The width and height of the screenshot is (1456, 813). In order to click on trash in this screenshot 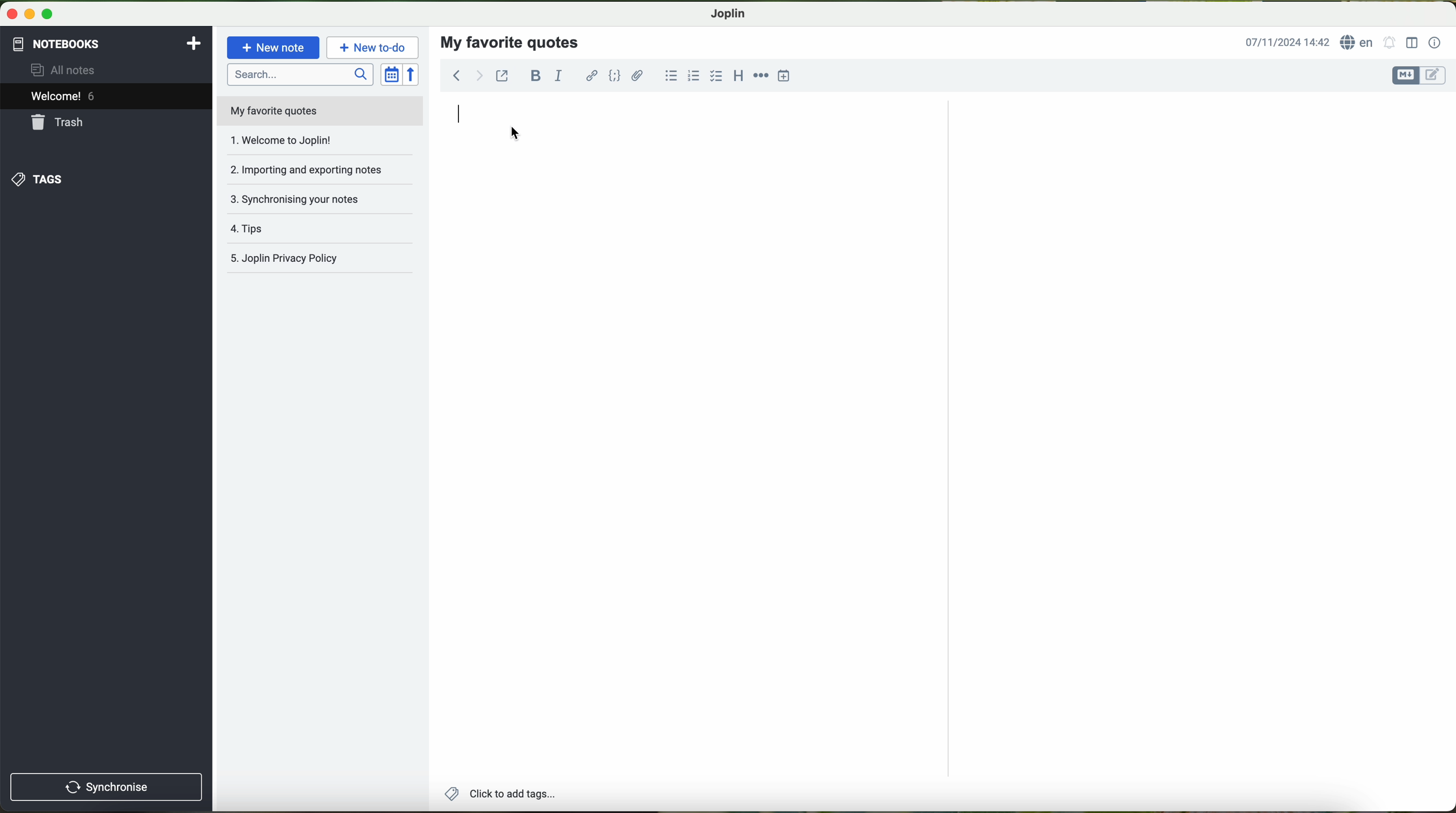, I will do `click(107, 123)`.